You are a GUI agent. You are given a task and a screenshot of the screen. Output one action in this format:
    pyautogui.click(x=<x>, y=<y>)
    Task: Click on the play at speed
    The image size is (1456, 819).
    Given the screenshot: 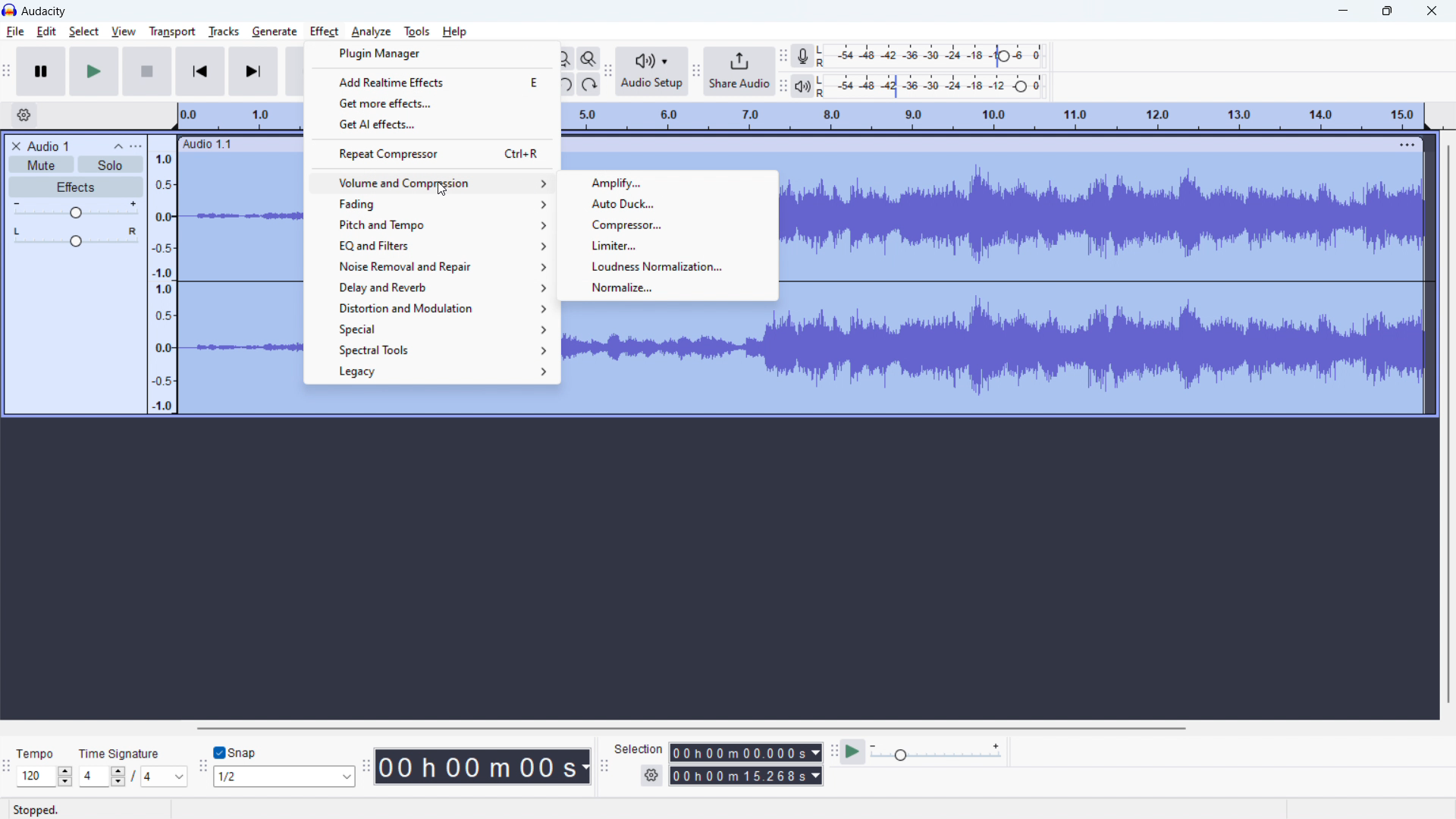 What is the action you would take?
    pyautogui.click(x=853, y=752)
    